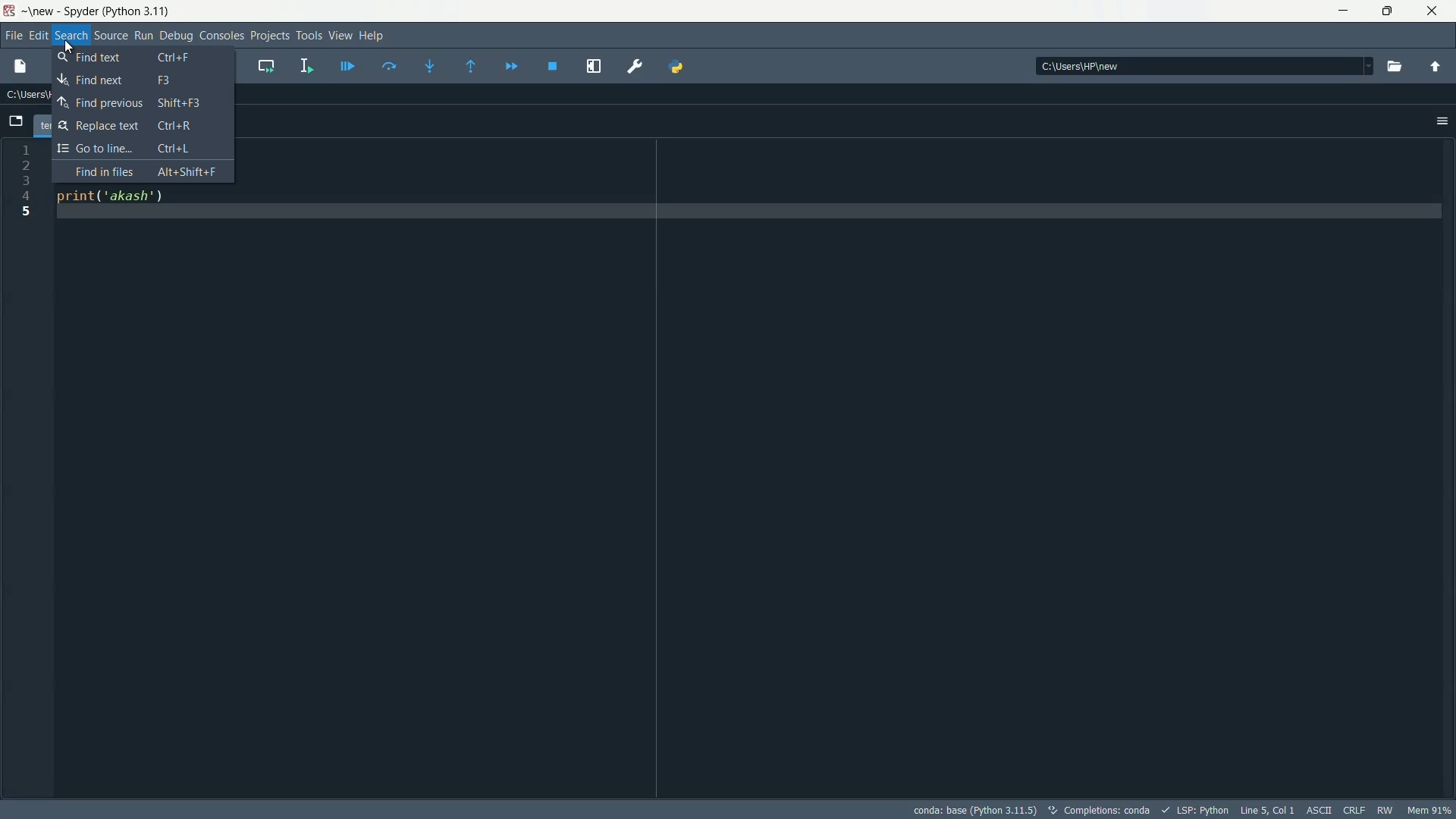  Describe the element at coordinates (137, 12) in the screenshot. I see `python 3.11` at that location.